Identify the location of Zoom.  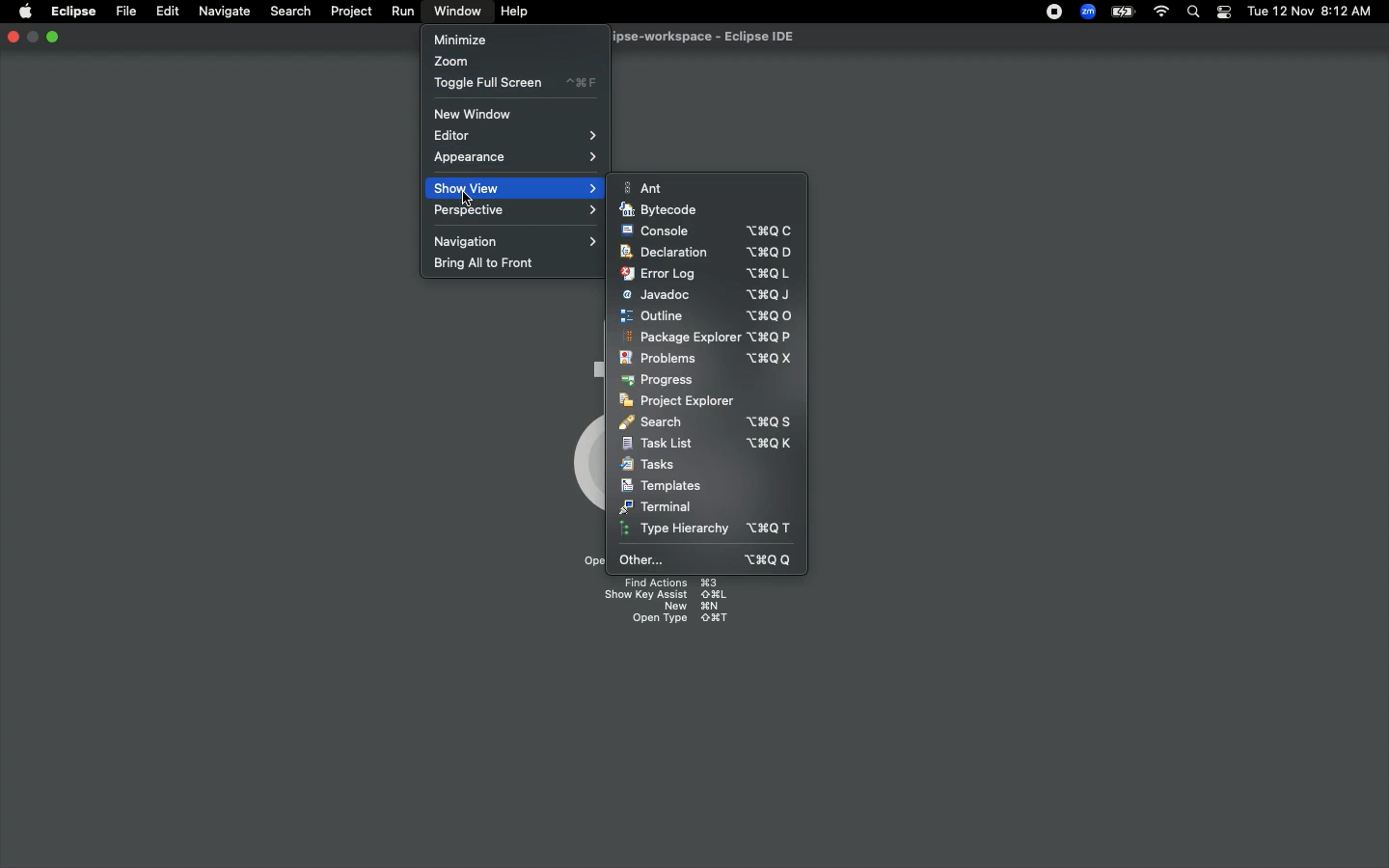
(1085, 12).